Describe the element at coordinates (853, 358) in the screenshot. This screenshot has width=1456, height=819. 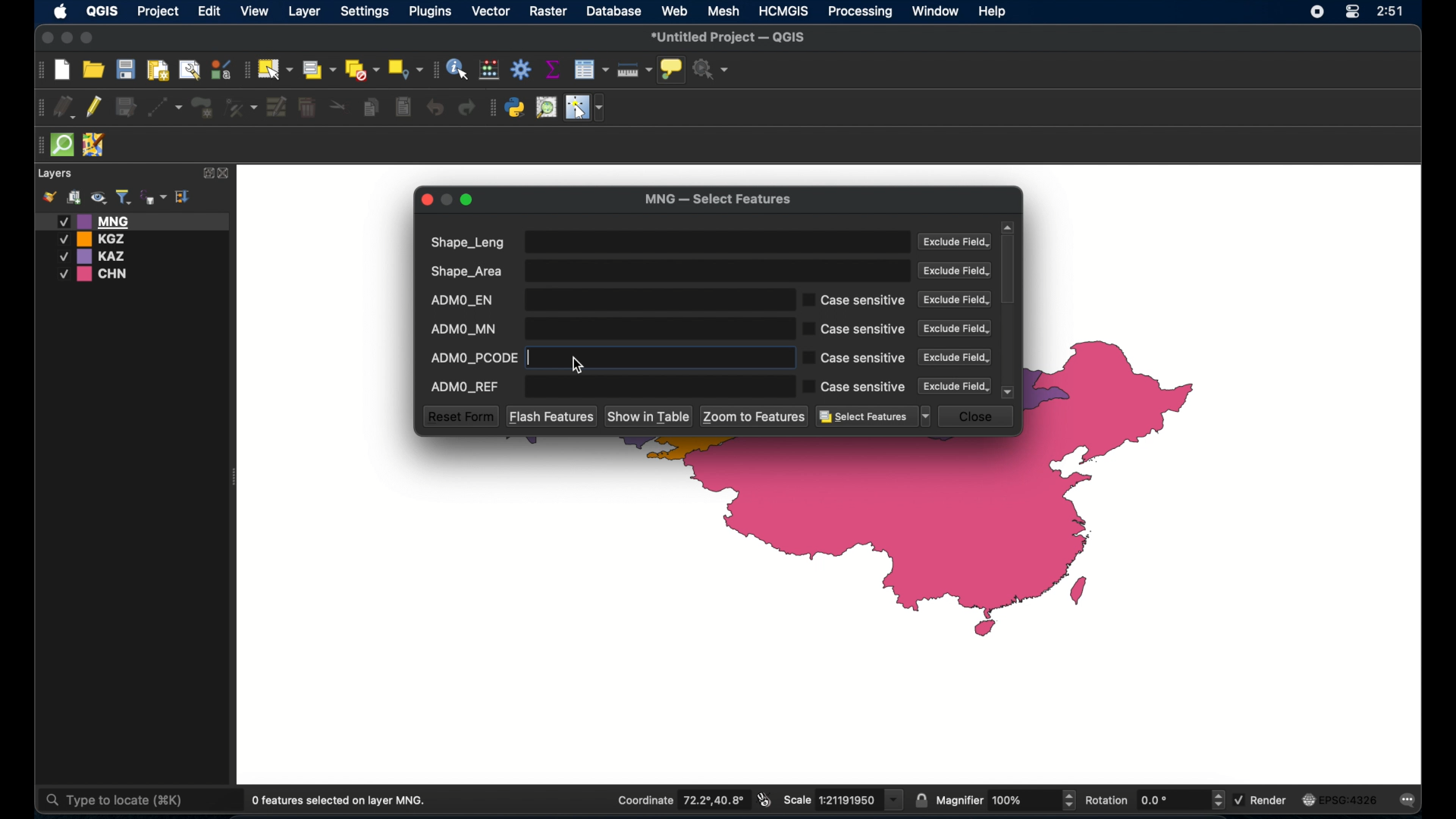
I see `case sensitive` at that location.